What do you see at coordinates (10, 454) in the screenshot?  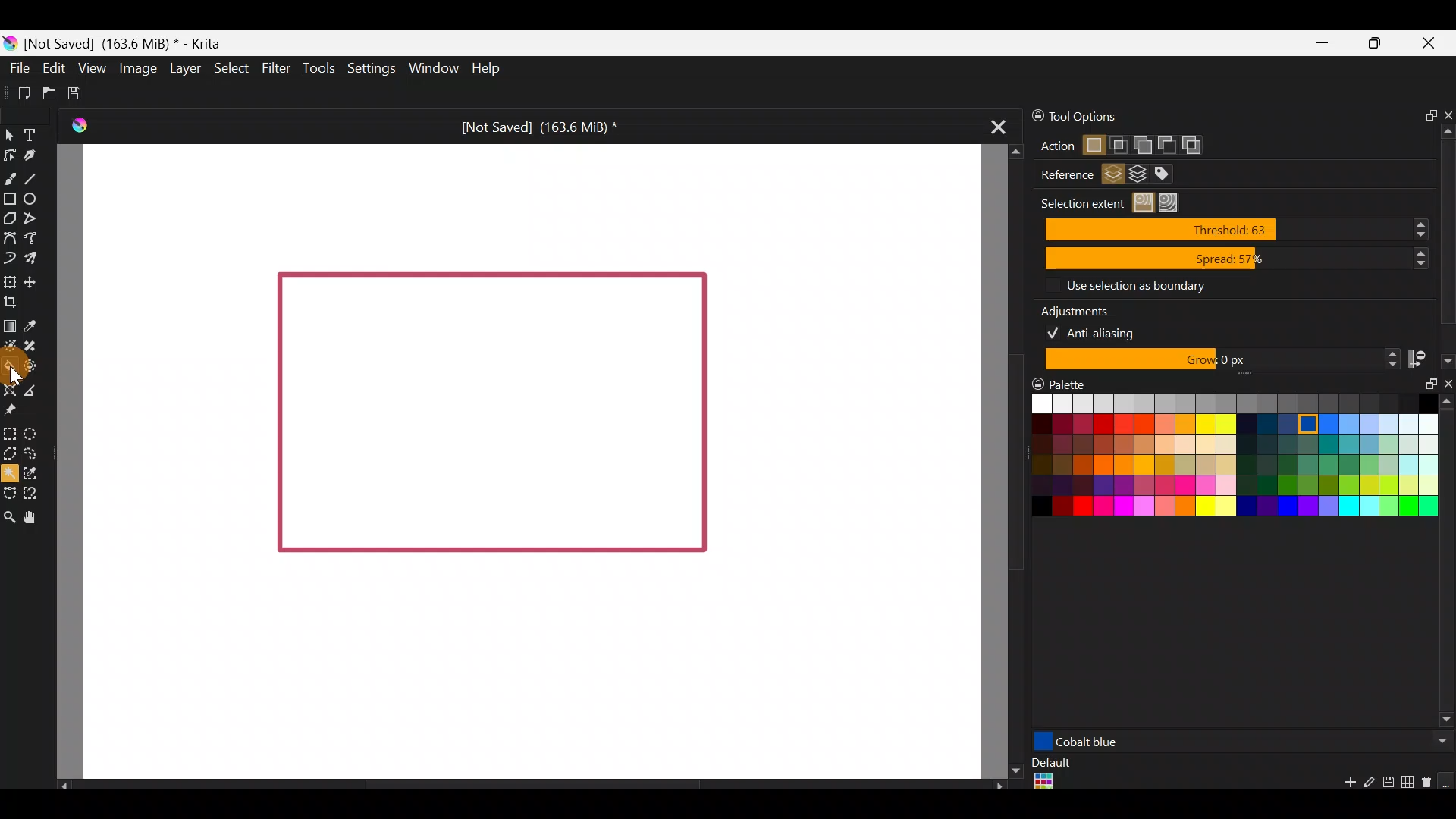 I see `Polygonal section tool` at bounding box center [10, 454].